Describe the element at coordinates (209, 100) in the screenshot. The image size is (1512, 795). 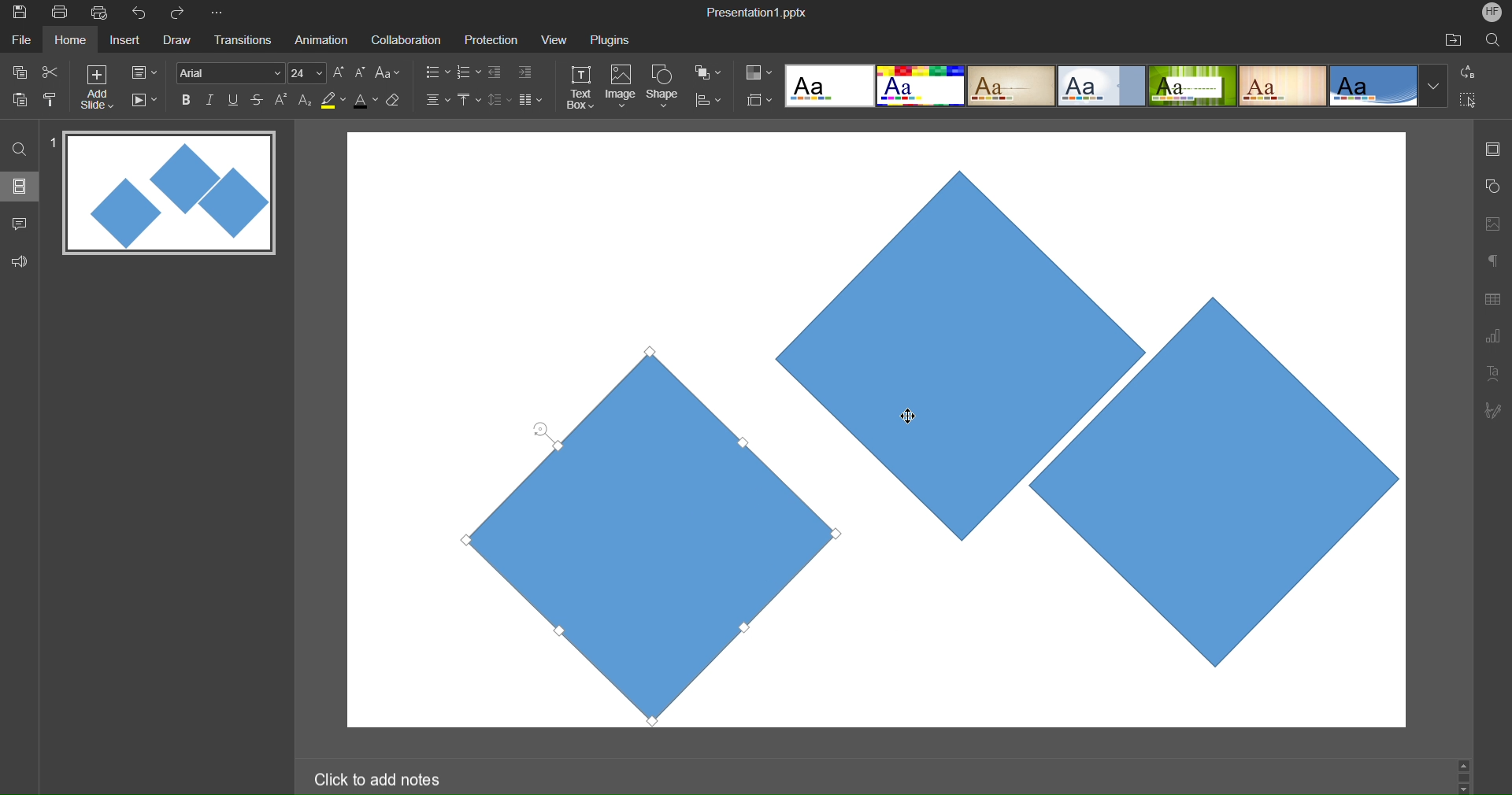
I see `Italic` at that location.